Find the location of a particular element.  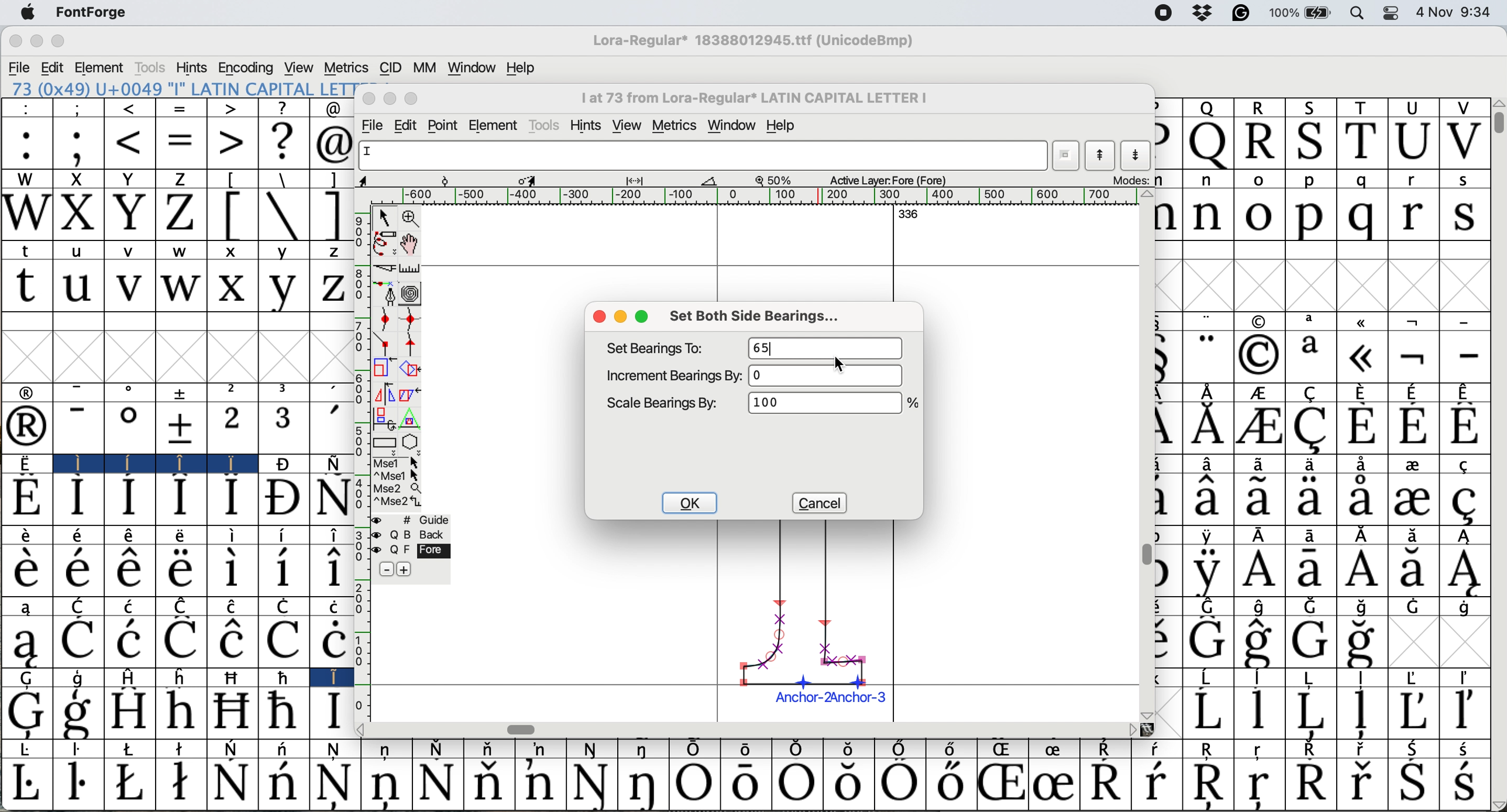

Symbol is located at coordinates (796, 749).